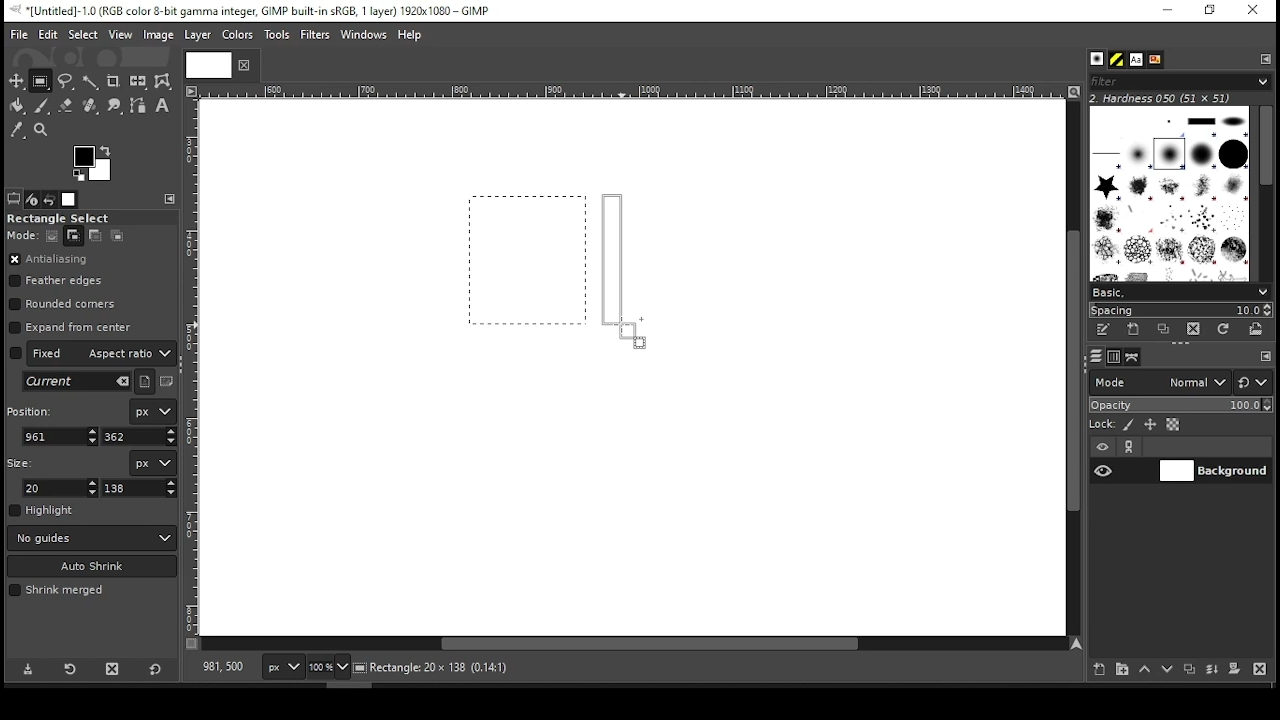  I want to click on brushes, so click(1169, 193).